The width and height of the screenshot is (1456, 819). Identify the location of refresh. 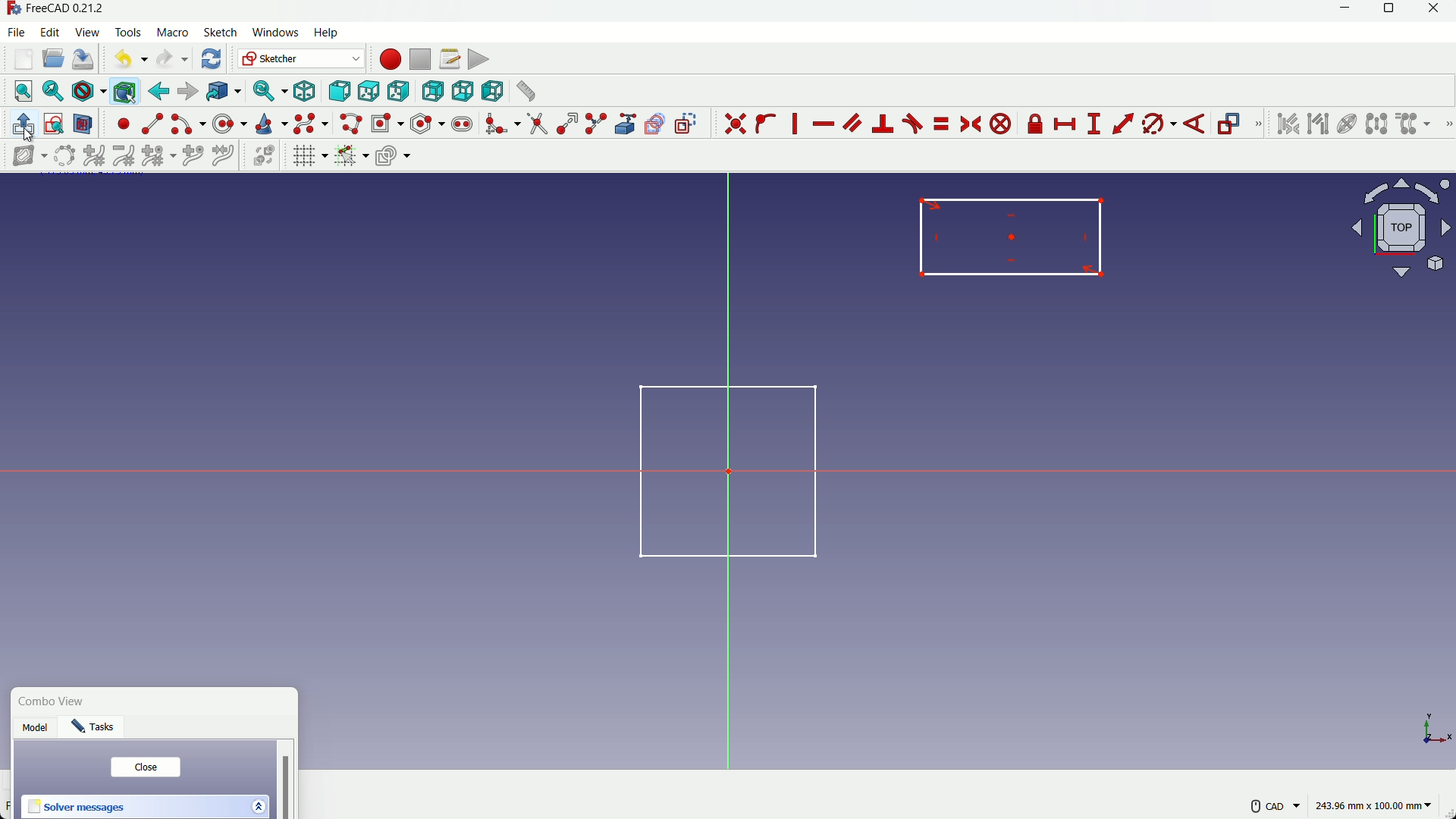
(213, 58).